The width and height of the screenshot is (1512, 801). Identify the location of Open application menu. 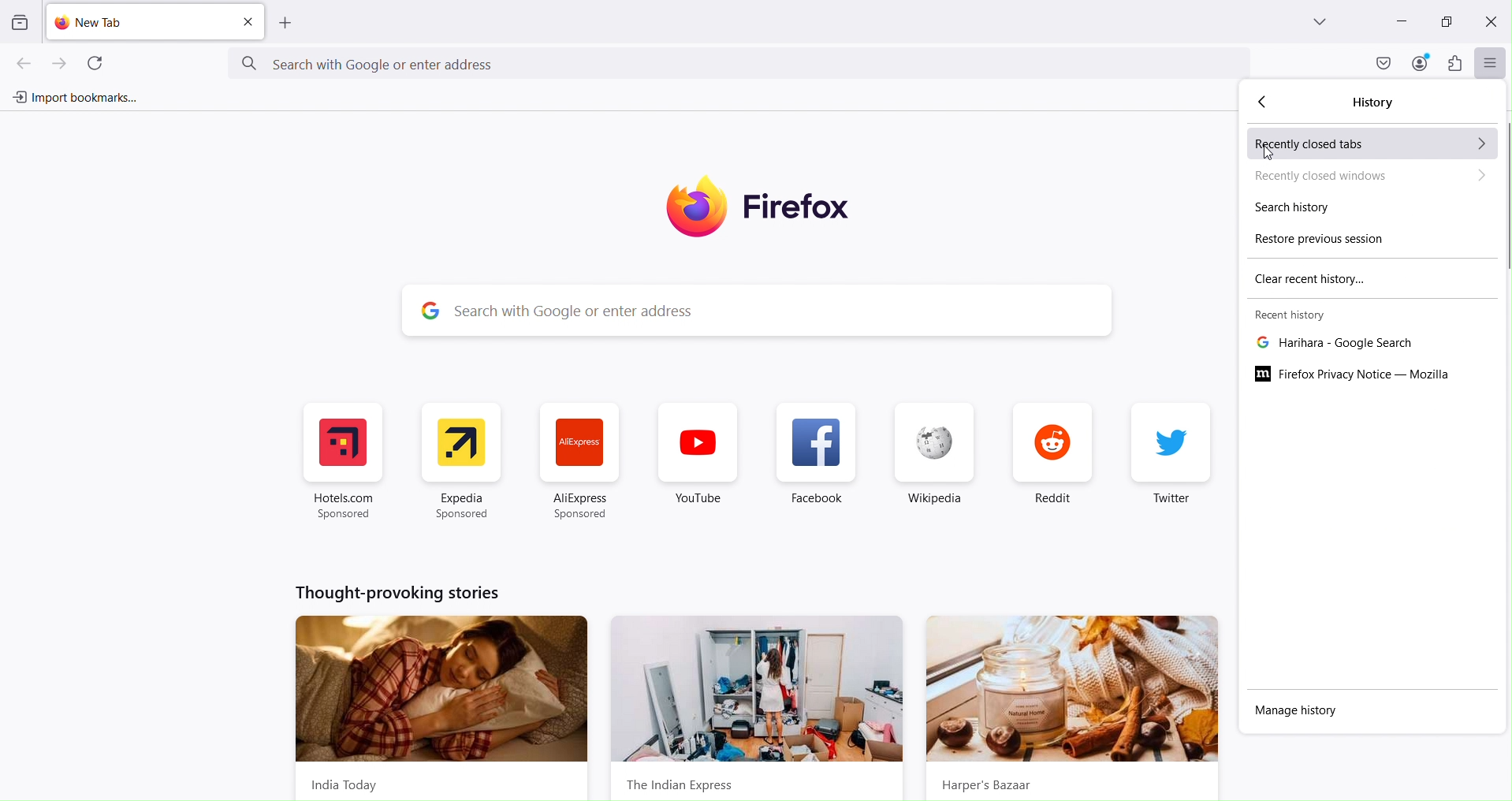
(1492, 63).